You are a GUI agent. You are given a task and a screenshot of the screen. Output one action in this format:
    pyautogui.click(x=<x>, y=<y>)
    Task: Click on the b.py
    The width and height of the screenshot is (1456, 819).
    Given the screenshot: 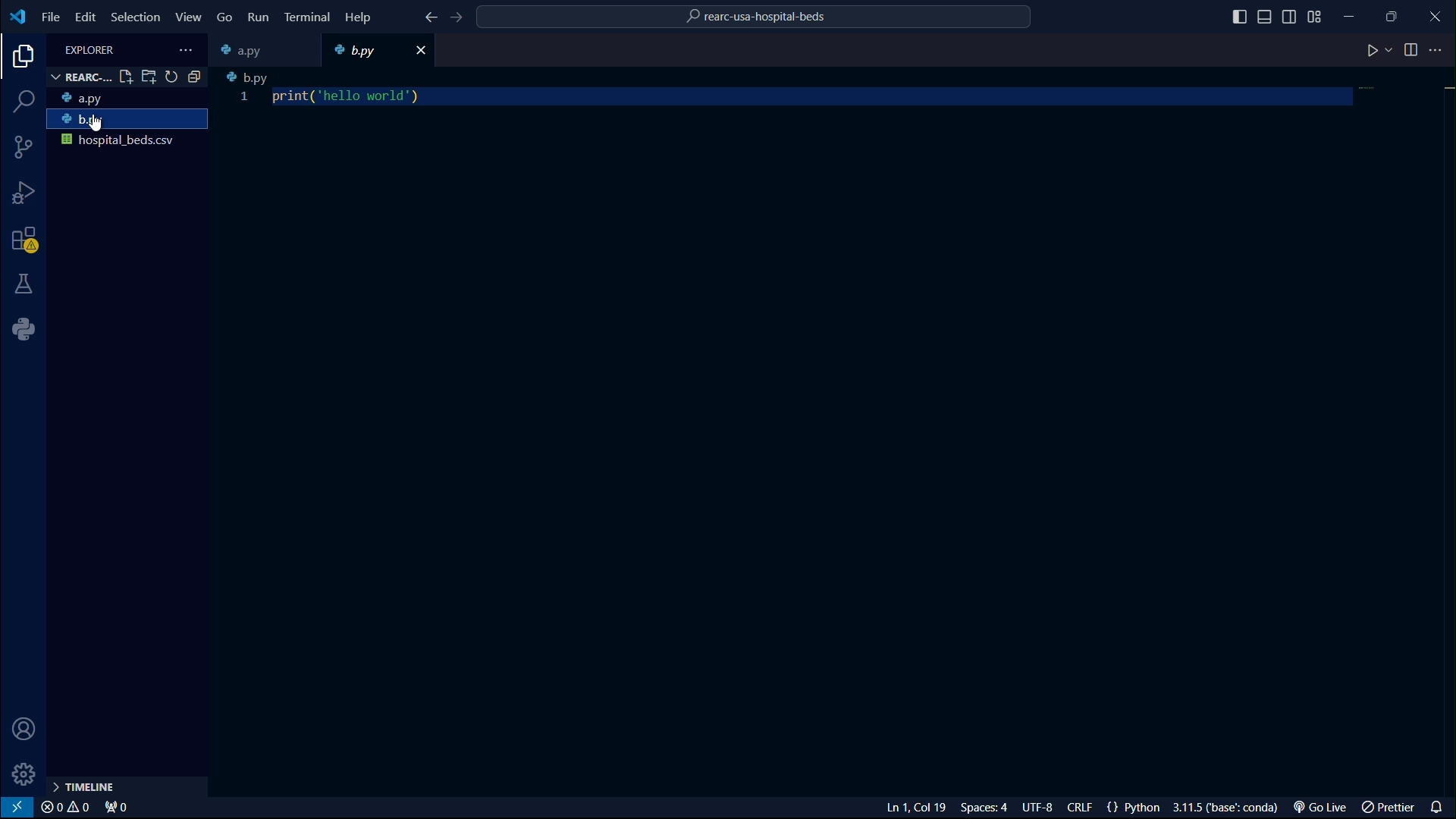 What is the action you would take?
    pyautogui.click(x=244, y=78)
    